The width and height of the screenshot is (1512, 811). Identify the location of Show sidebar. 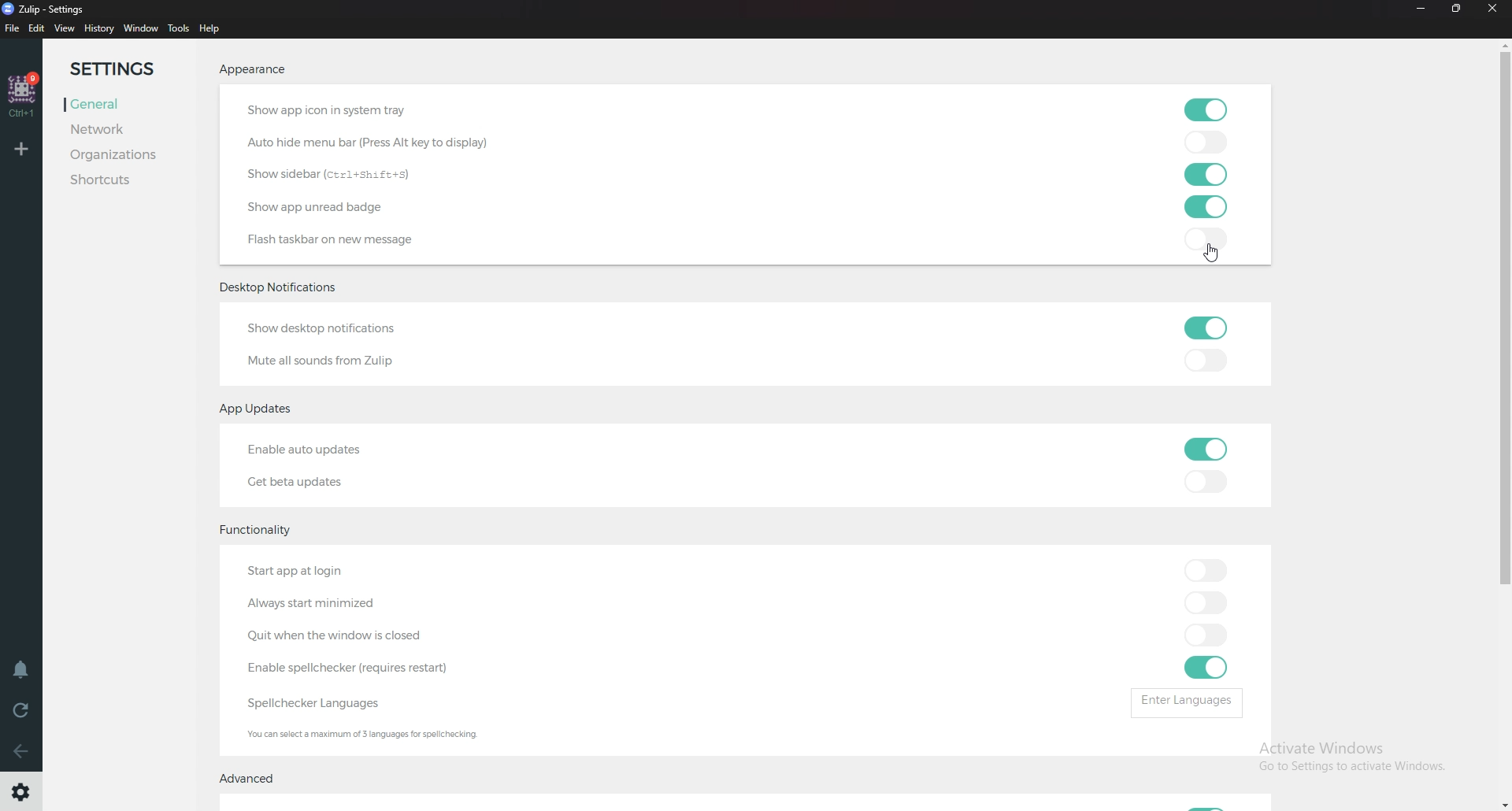
(337, 175).